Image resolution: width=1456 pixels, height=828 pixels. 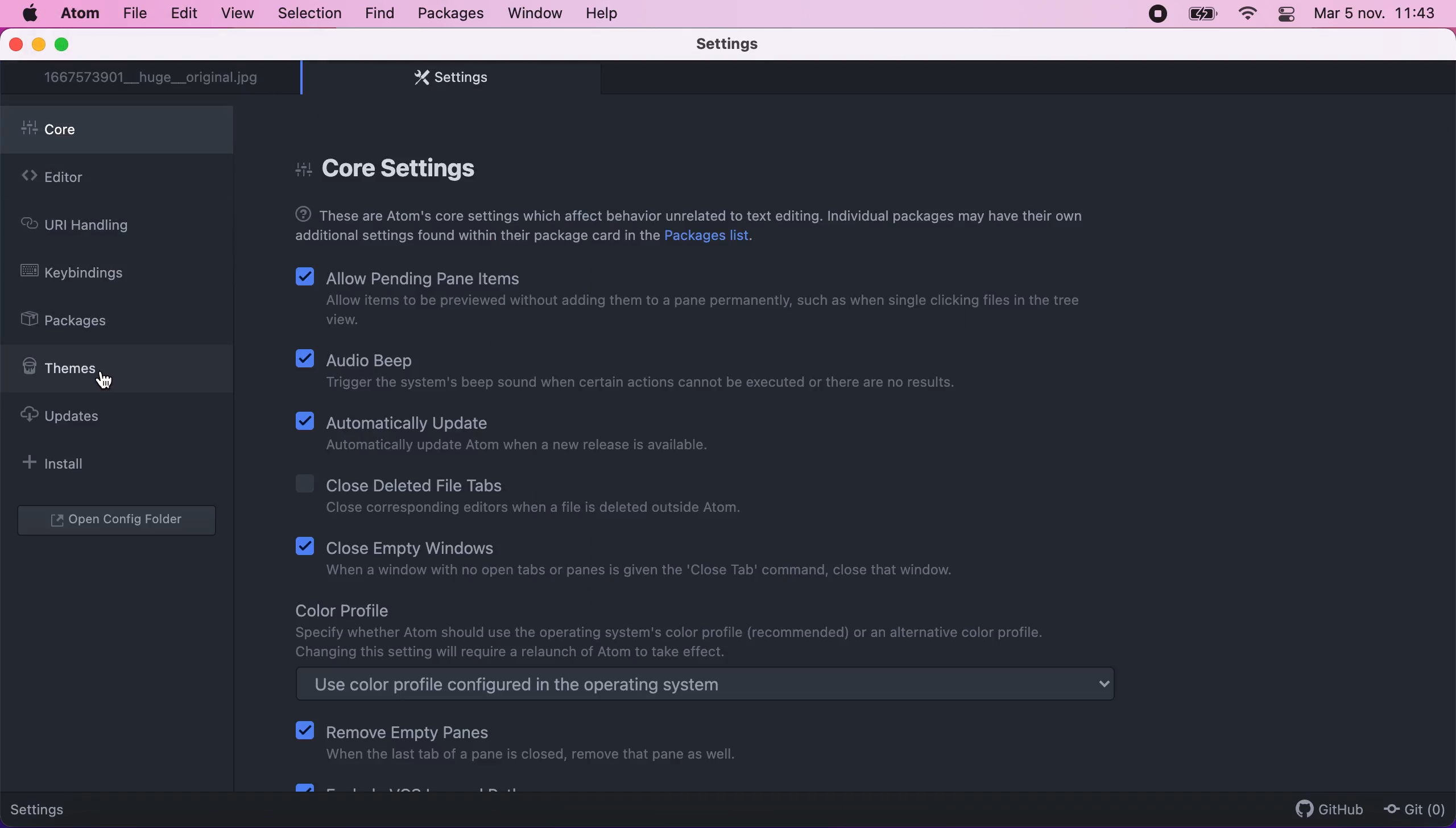 What do you see at coordinates (447, 81) in the screenshot?
I see `settings` at bounding box center [447, 81].